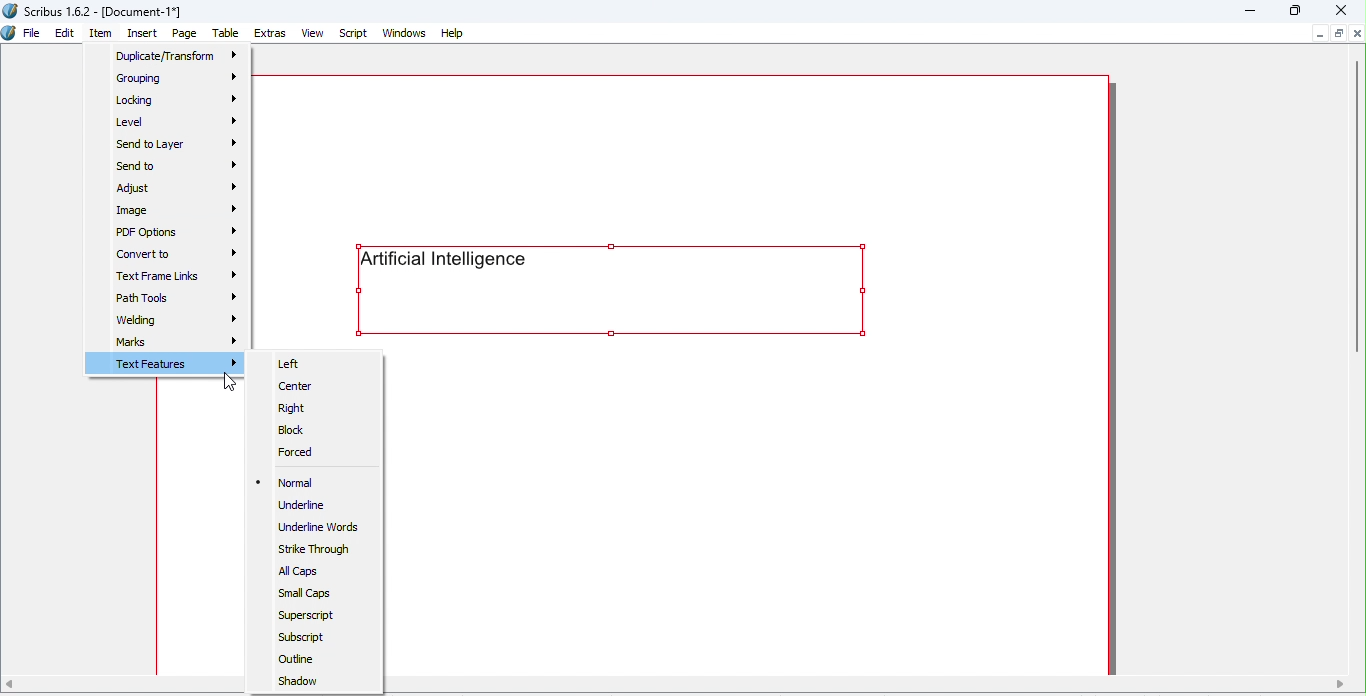 The image size is (1366, 696). I want to click on Close, so click(1338, 10).